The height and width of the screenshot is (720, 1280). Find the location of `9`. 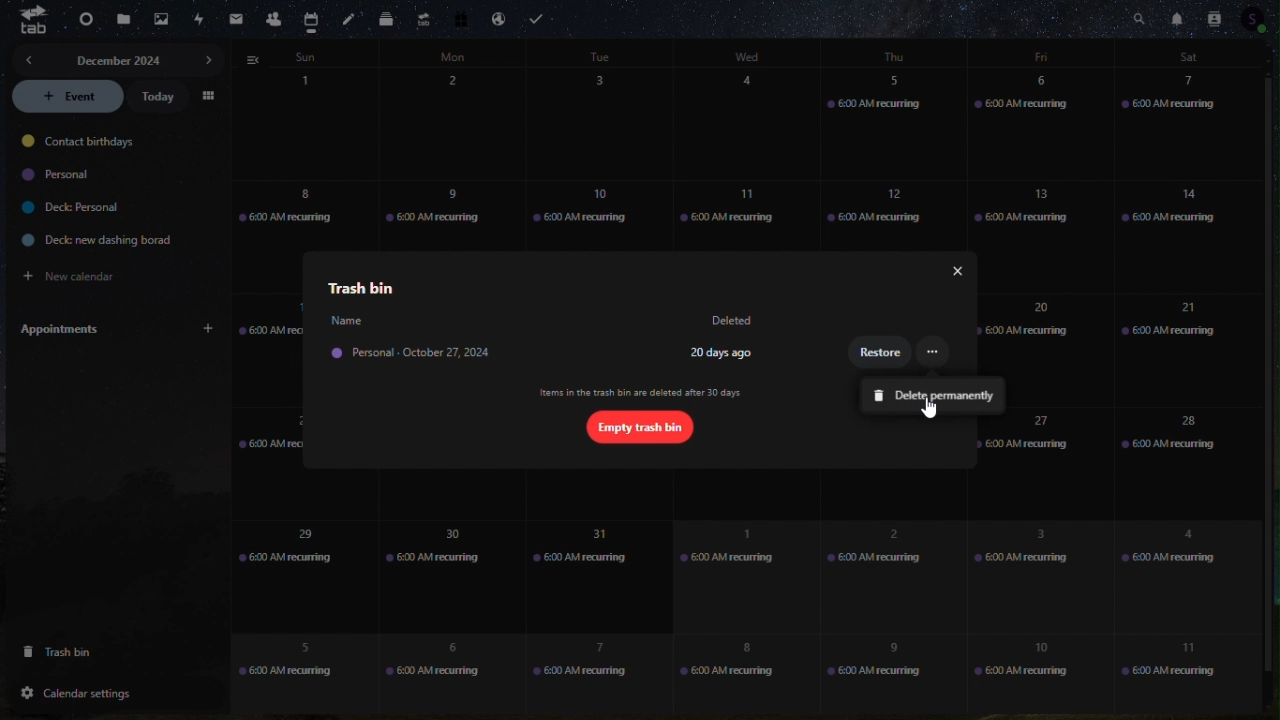

9 is located at coordinates (447, 211).